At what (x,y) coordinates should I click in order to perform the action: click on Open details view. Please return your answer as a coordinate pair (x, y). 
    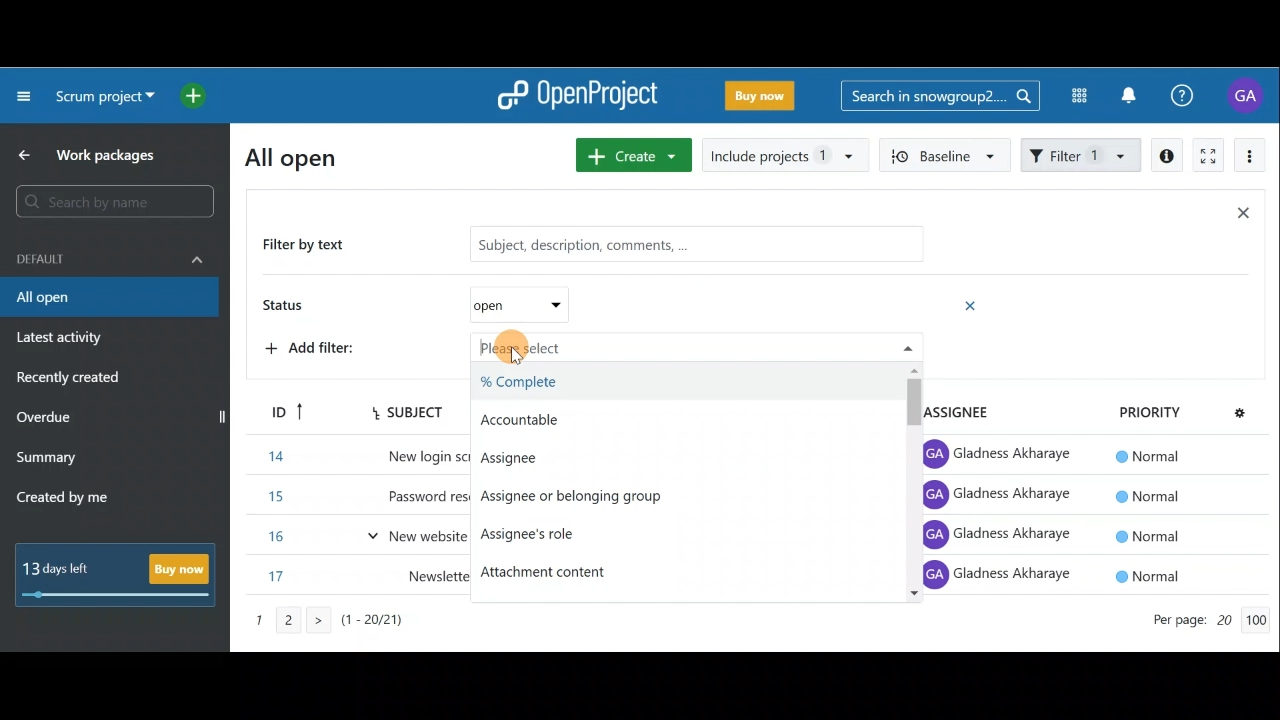
    Looking at the image, I should click on (1168, 156).